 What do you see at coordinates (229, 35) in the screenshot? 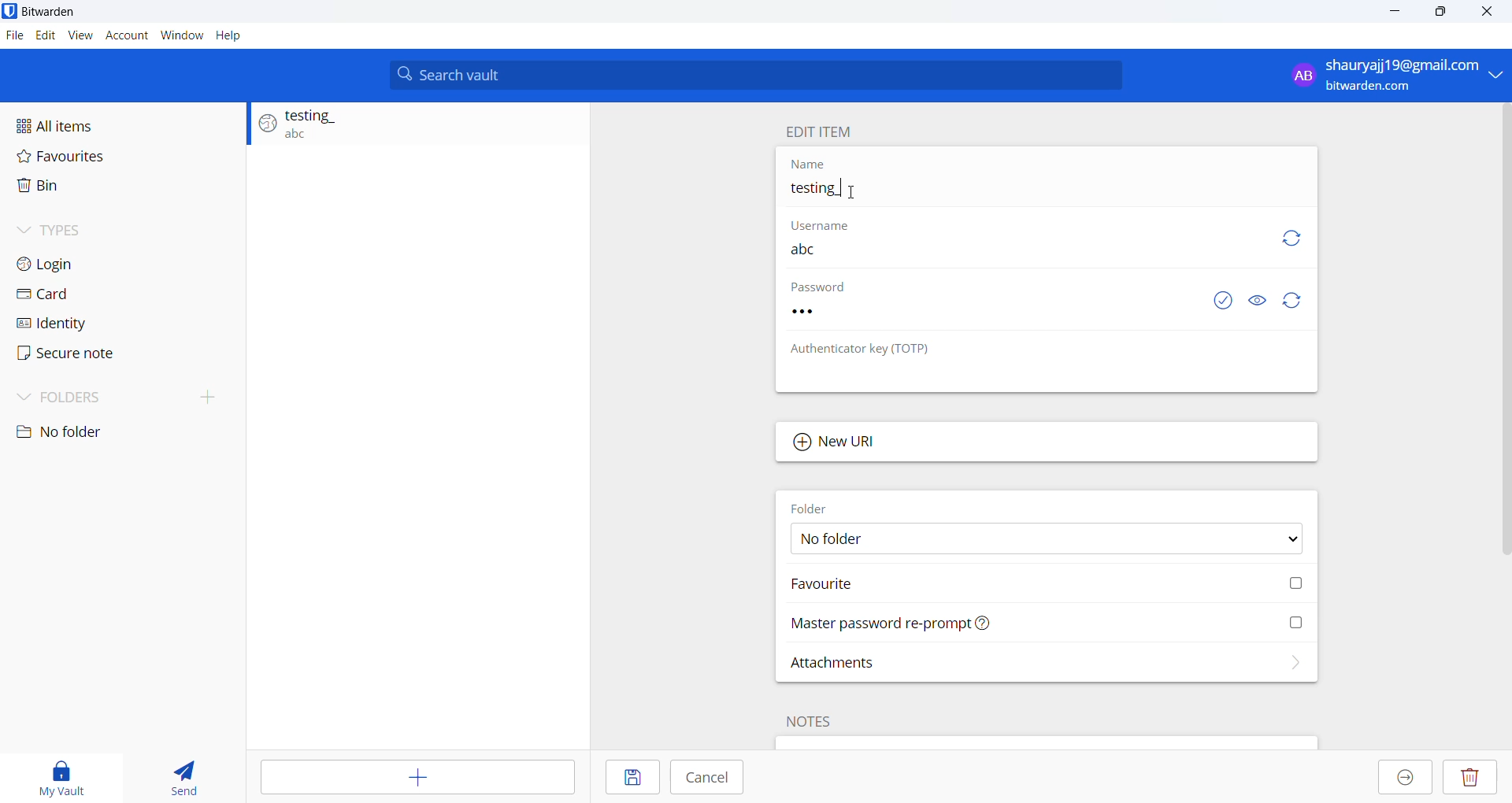
I see `Help` at bounding box center [229, 35].